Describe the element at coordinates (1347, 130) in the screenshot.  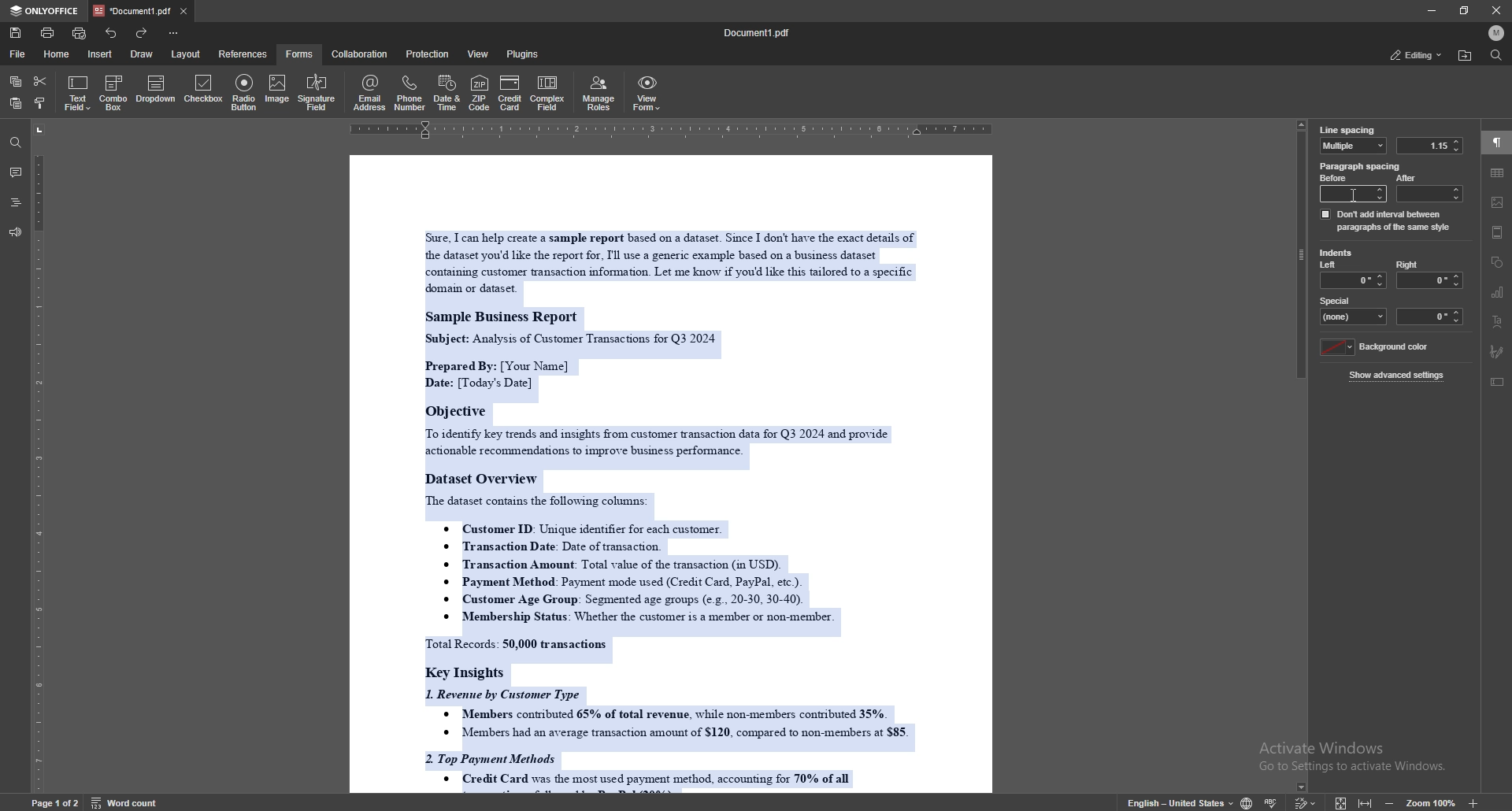
I see `line spacing` at that location.